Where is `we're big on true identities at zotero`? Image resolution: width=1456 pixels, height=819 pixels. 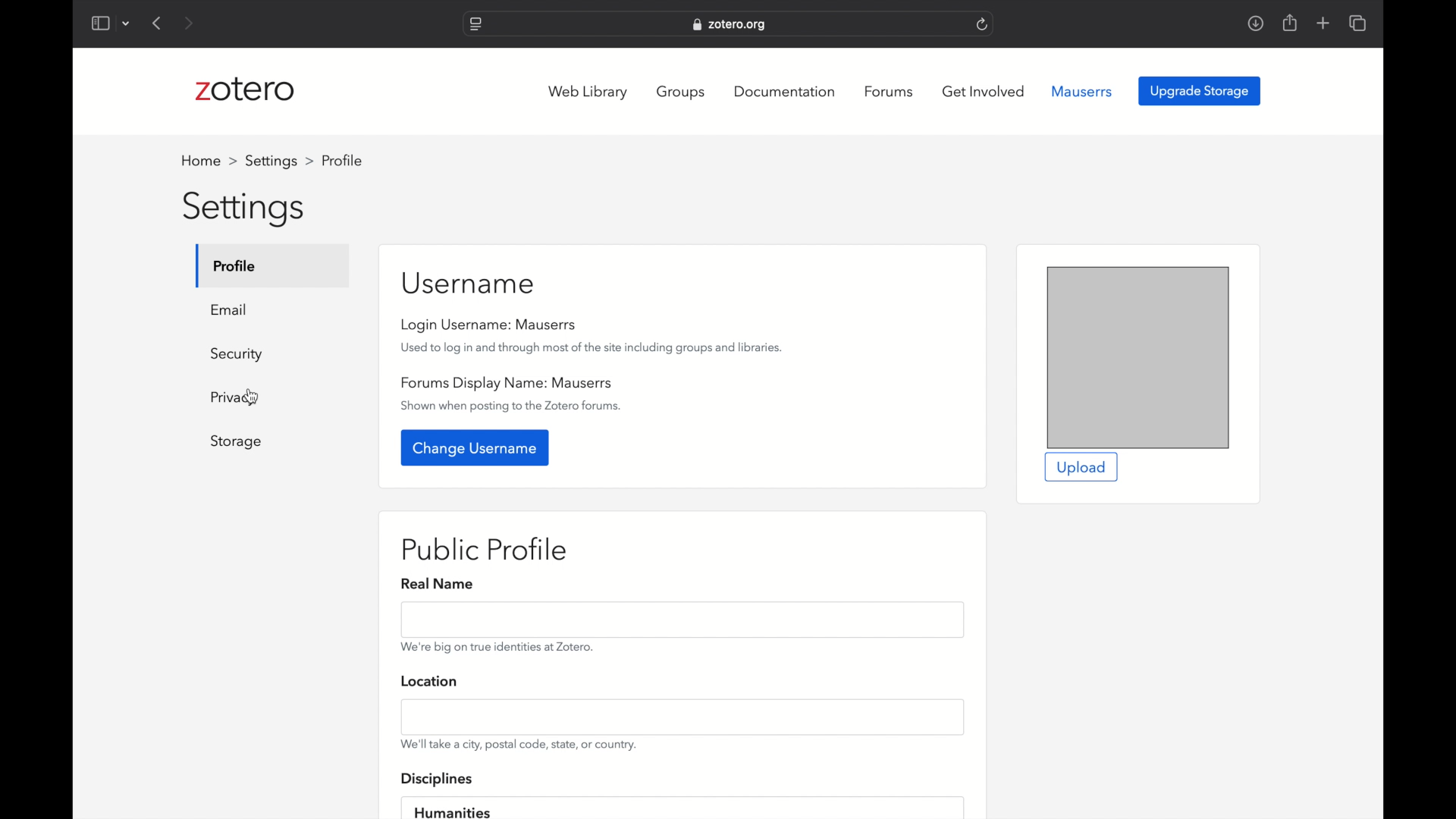
we're big on true identities at zotero is located at coordinates (497, 648).